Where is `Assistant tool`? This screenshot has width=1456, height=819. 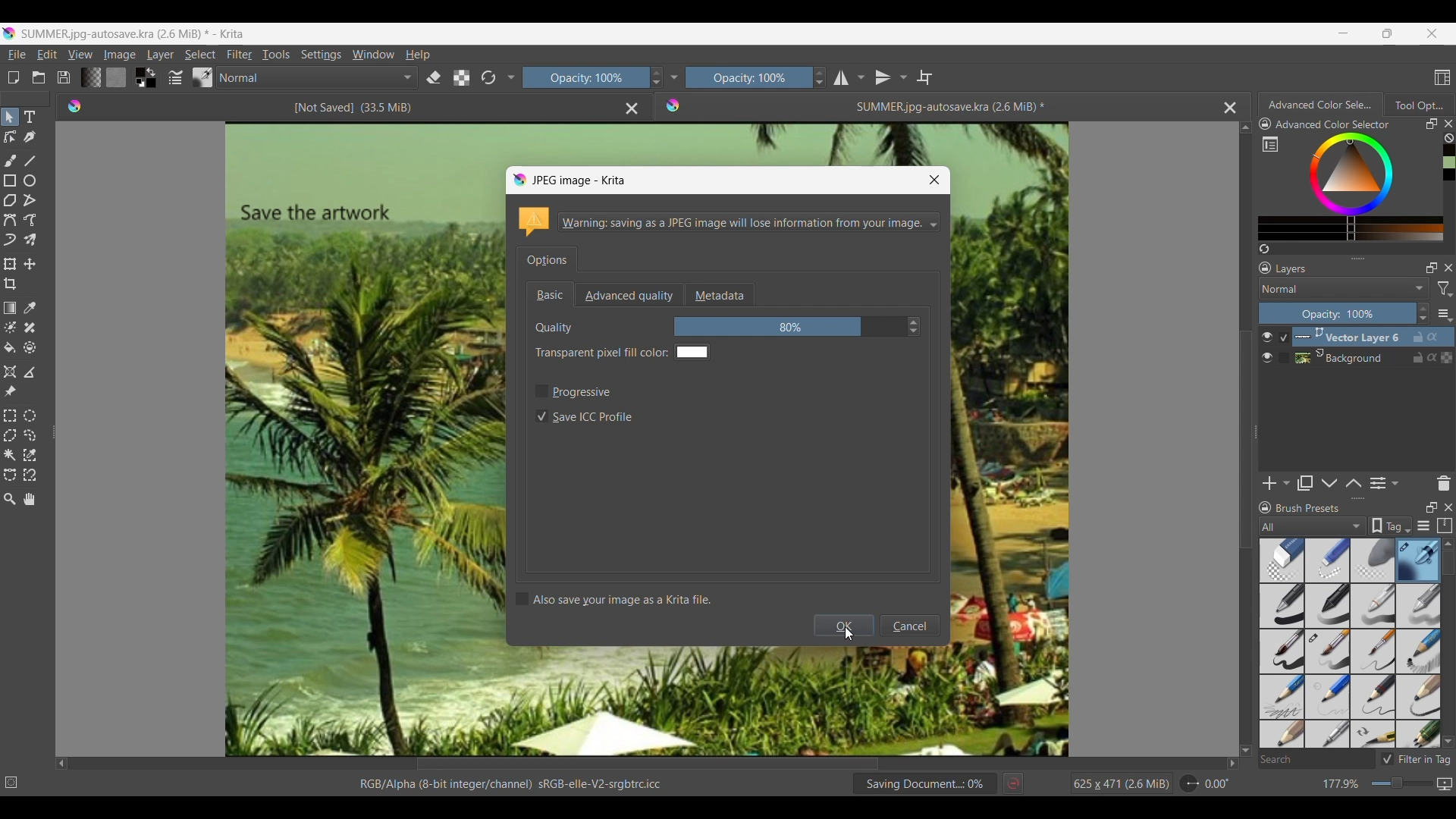 Assistant tool is located at coordinates (11, 372).